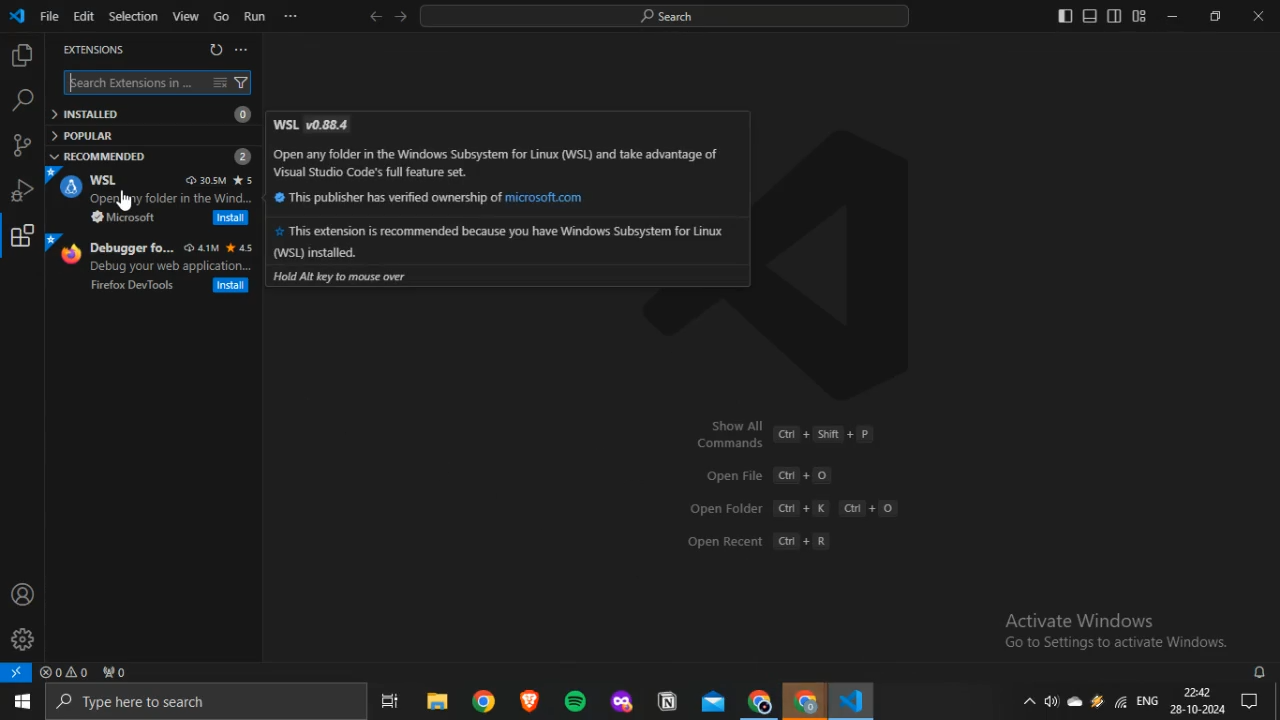 The width and height of the screenshot is (1280, 720). Describe the element at coordinates (173, 199) in the screenshot. I see `Open my folder in the Wind.` at that location.